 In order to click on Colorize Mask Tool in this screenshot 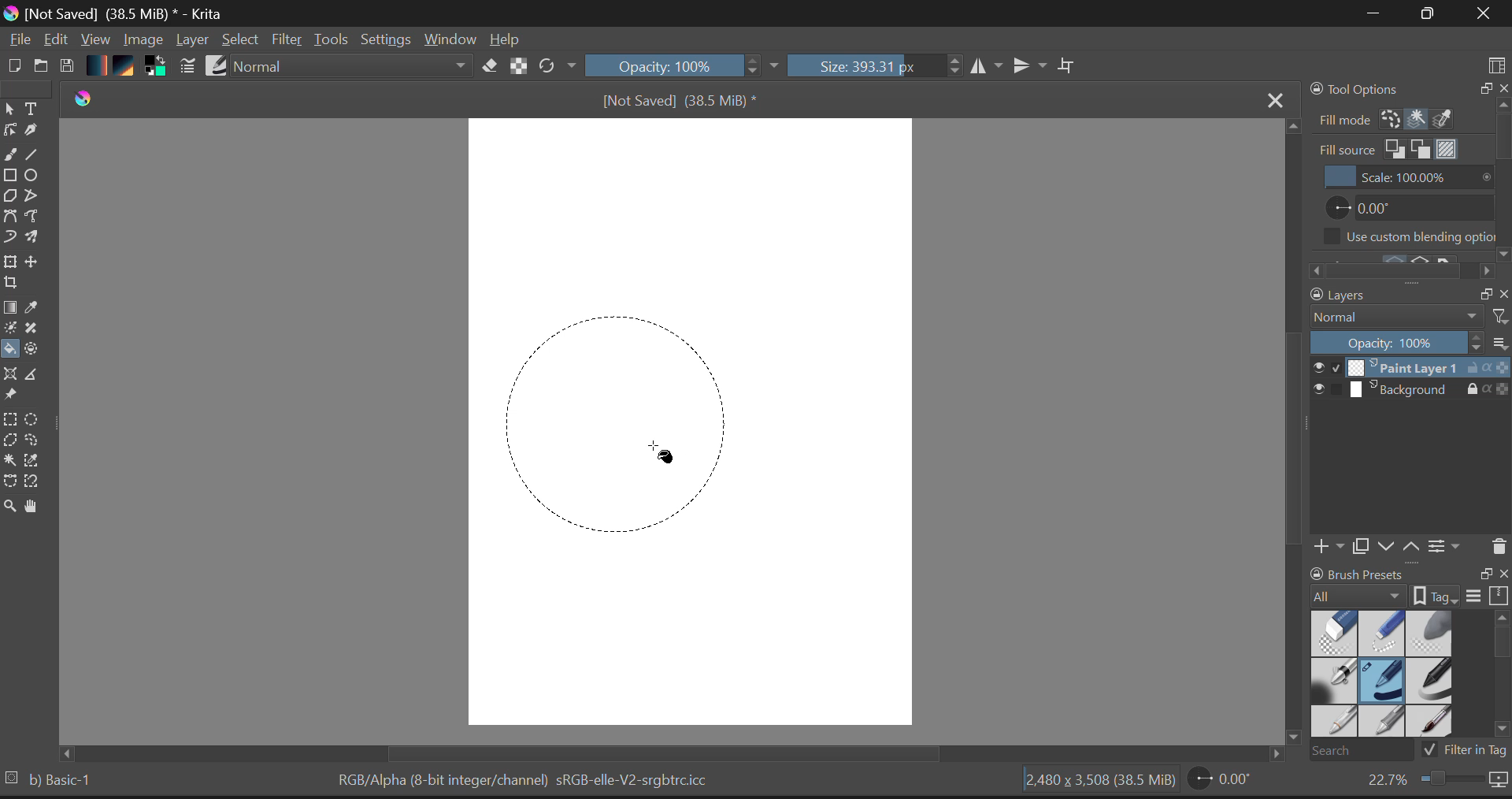, I will do `click(9, 329)`.